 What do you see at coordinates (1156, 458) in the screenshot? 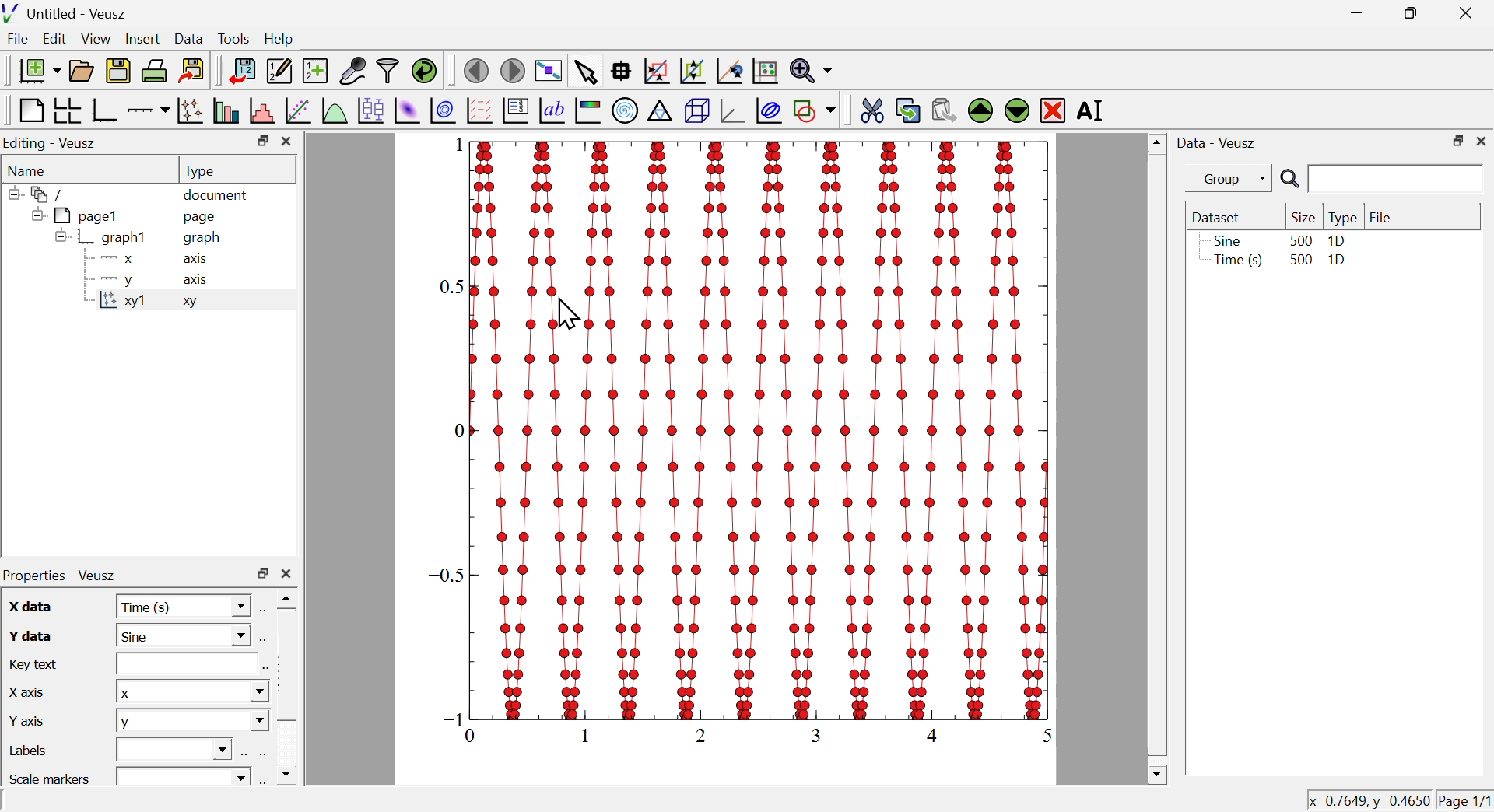
I see `scrollbar` at bounding box center [1156, 458].